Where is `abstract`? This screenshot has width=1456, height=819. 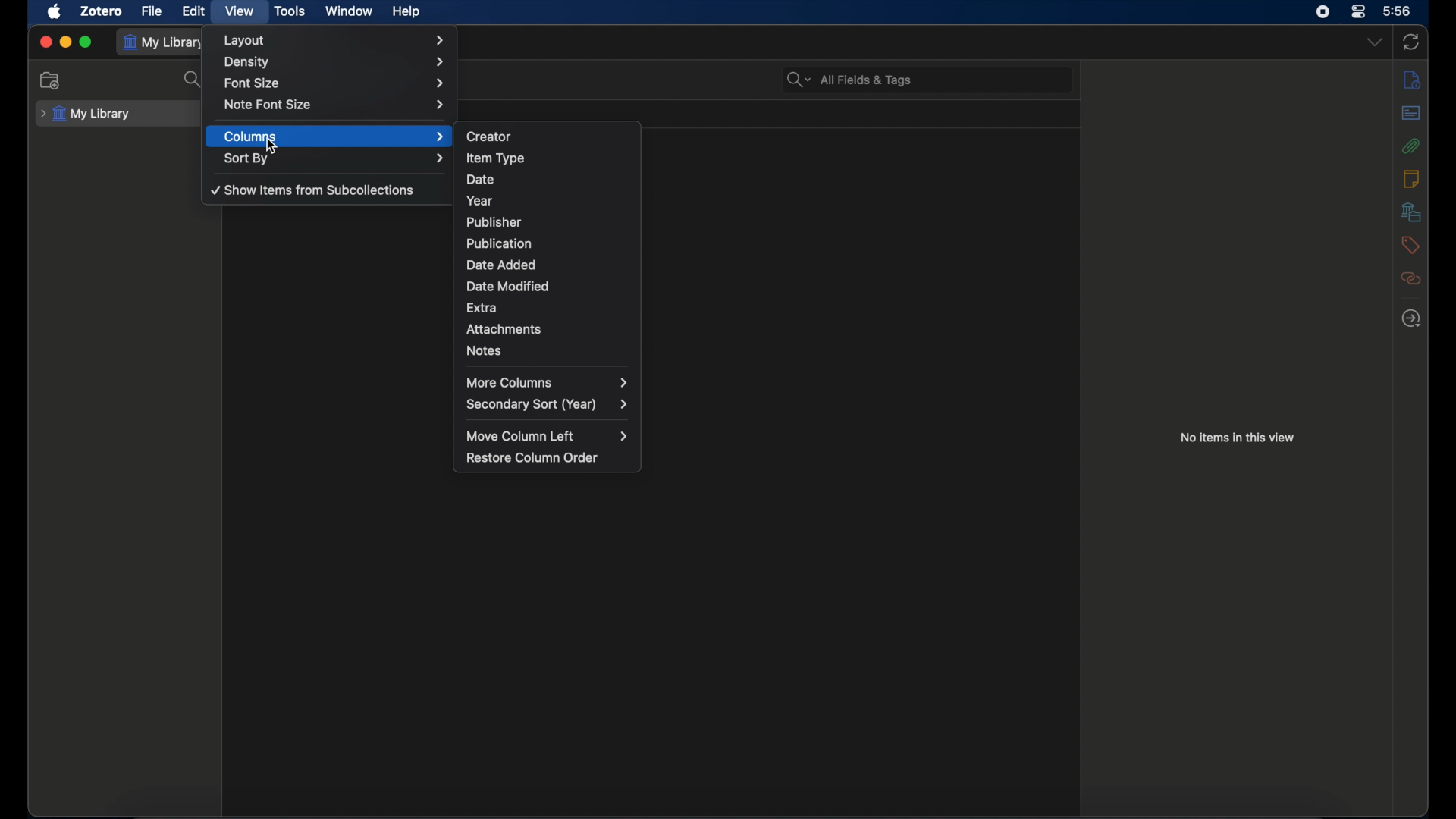
abstract is located at coordinates (1410, 113).